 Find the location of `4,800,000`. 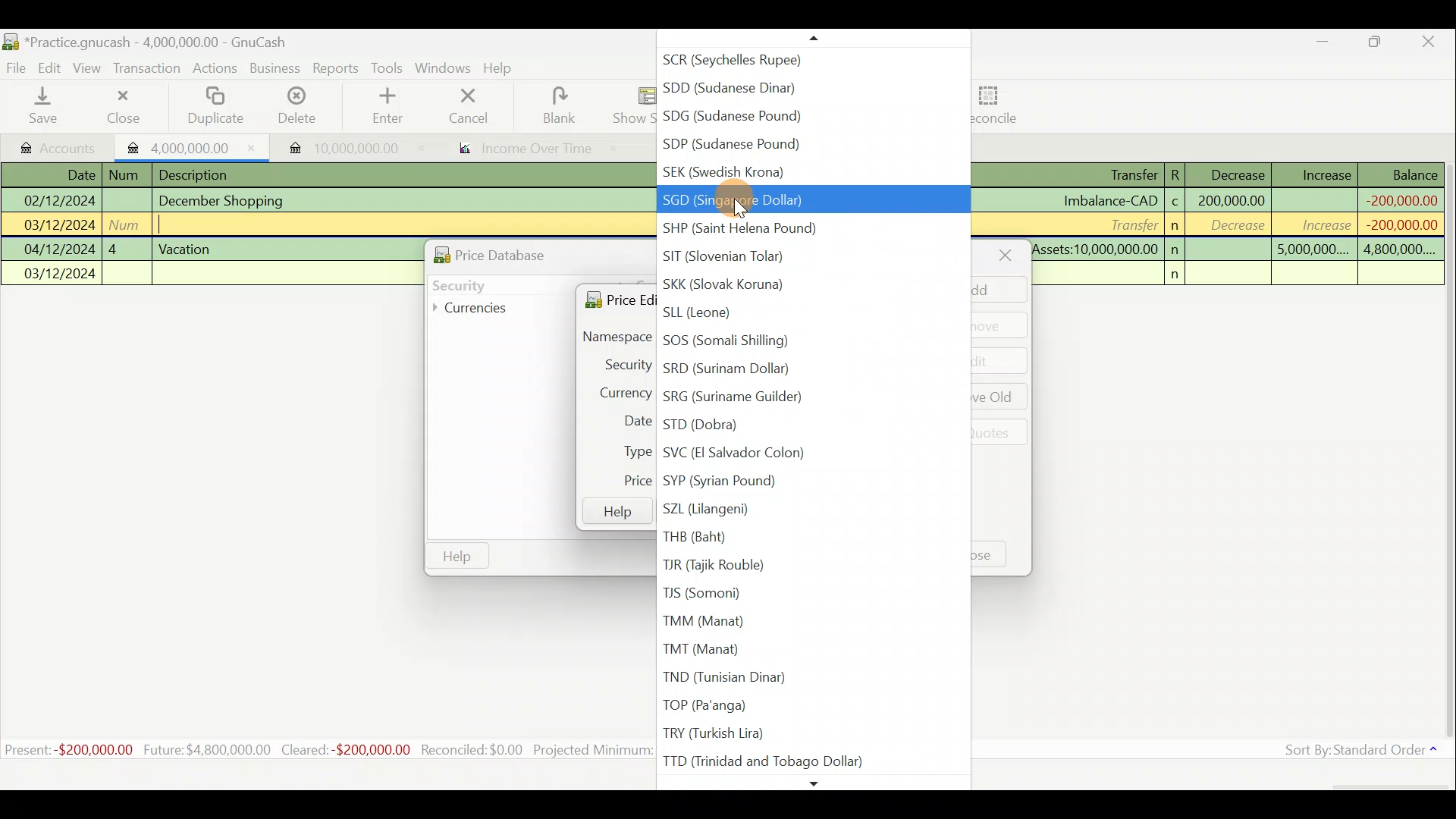

4,800,000 is located at coordinates (1398, 250).